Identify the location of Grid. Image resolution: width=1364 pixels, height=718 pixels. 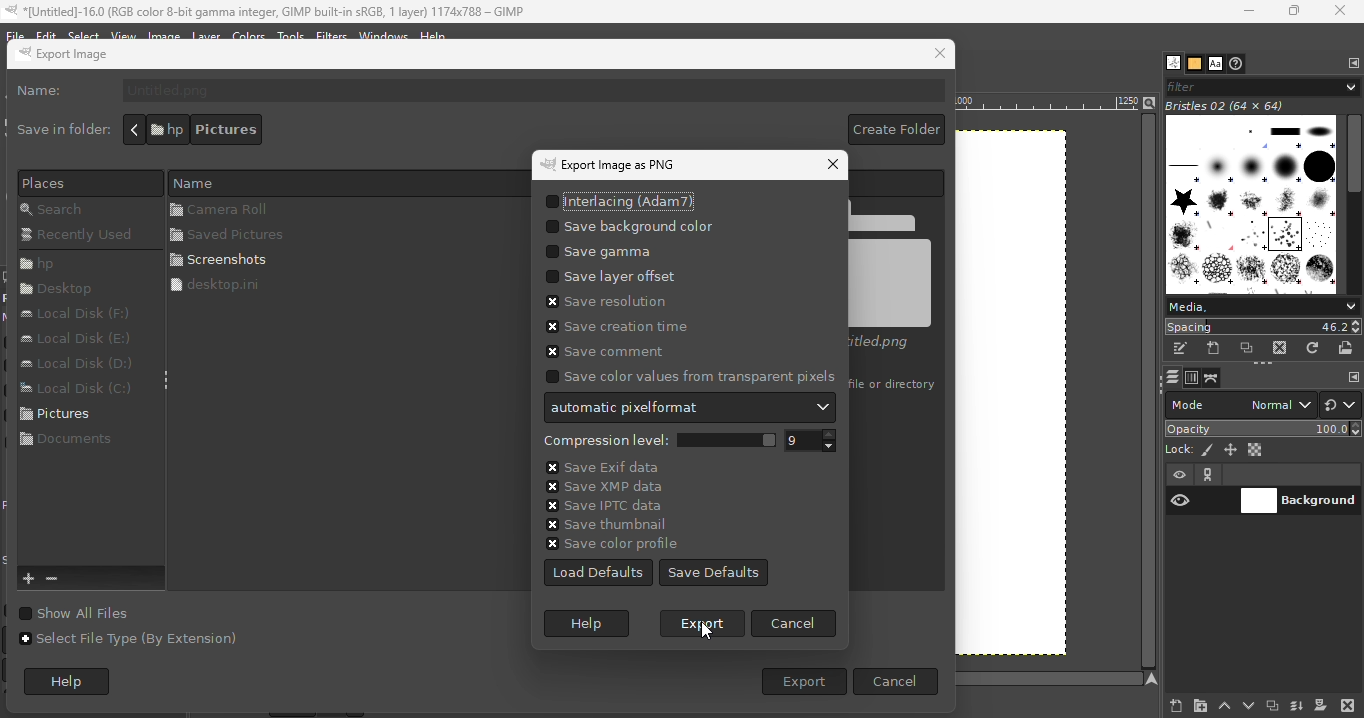
(1030, 399).